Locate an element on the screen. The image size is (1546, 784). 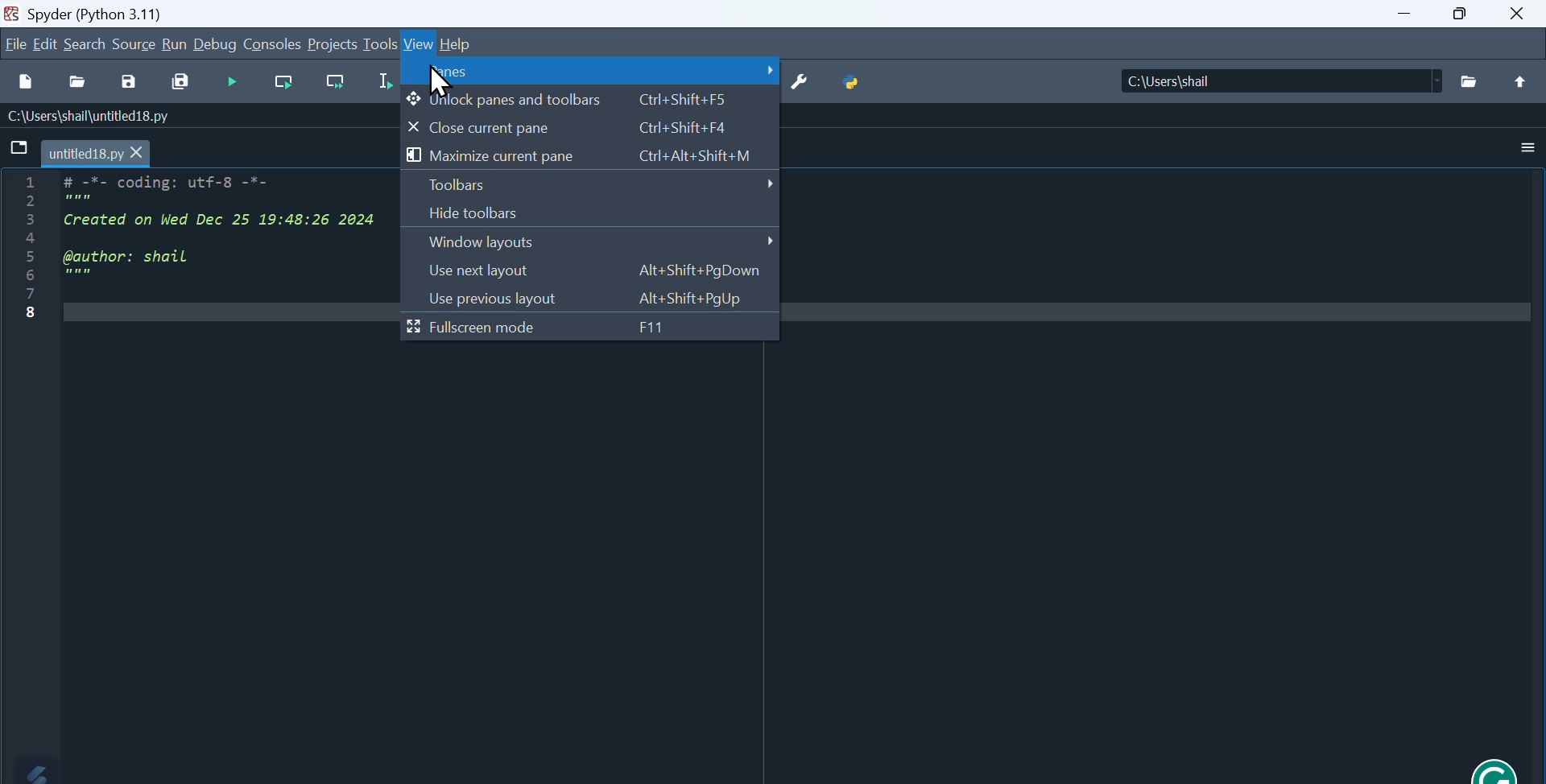
cursor is located at coordinates (438, 82).